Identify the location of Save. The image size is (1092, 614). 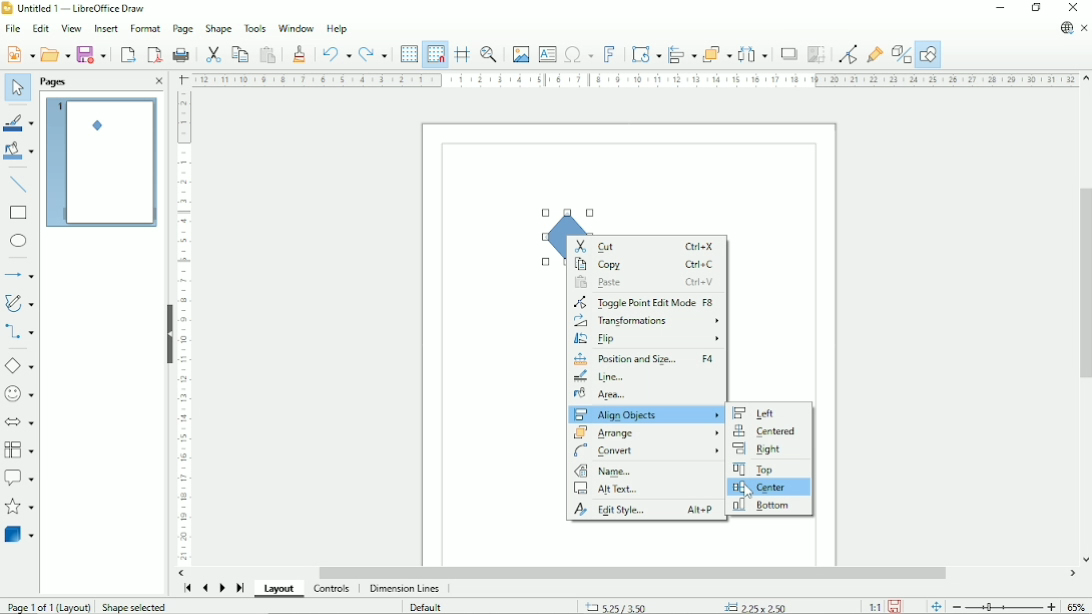
(896, 605).